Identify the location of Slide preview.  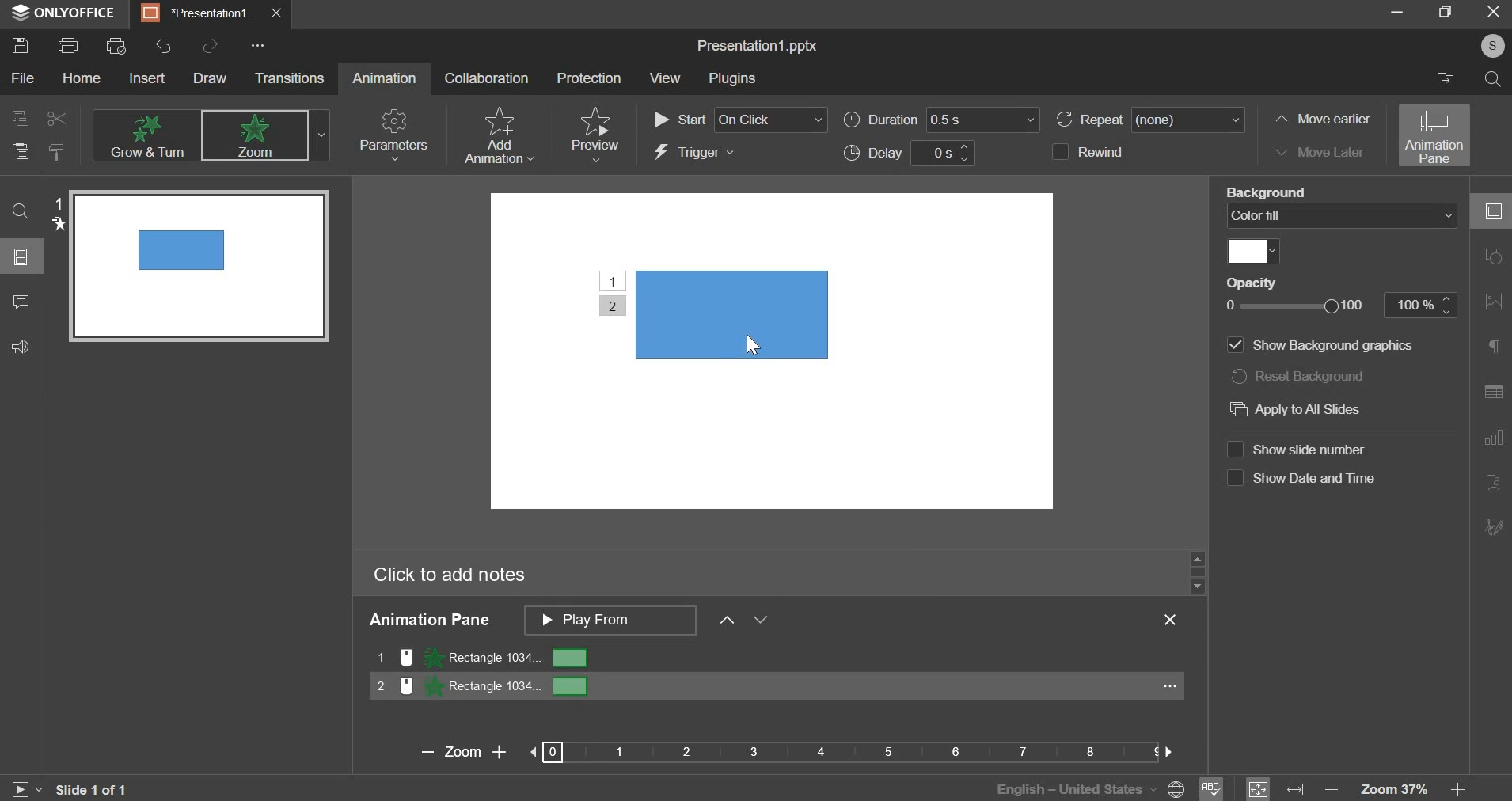
(192, 268).